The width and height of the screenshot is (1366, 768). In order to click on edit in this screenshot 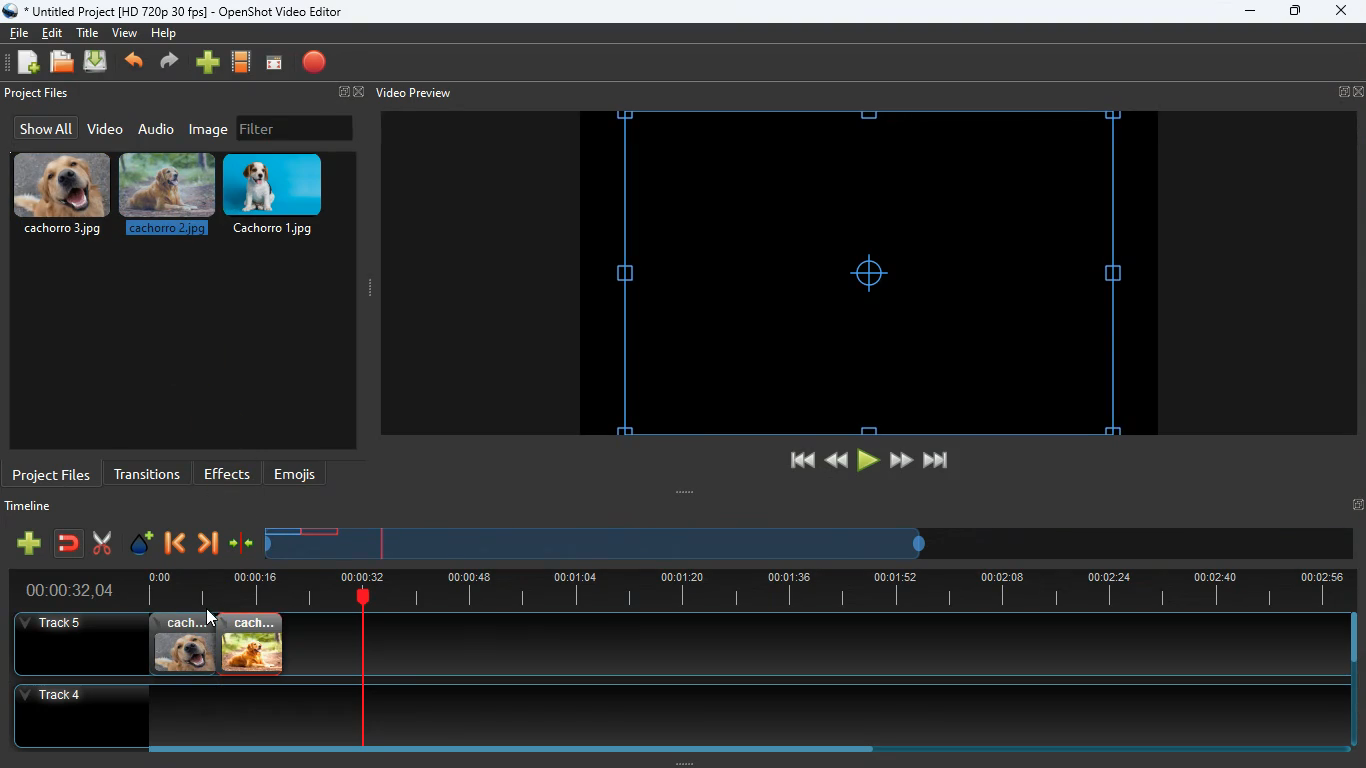, I will do `click(55, 33)`.